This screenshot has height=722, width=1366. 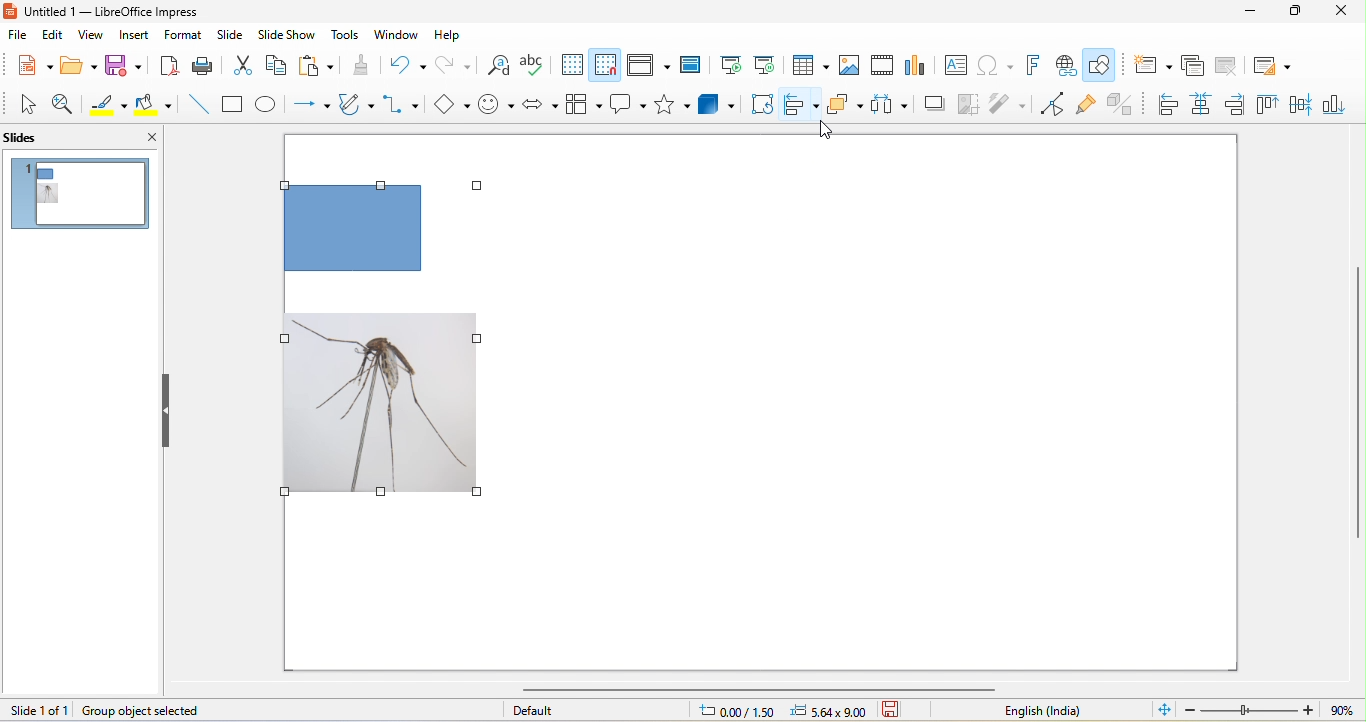 I want to click on duplicate slide, so click(x=1185, y=66).